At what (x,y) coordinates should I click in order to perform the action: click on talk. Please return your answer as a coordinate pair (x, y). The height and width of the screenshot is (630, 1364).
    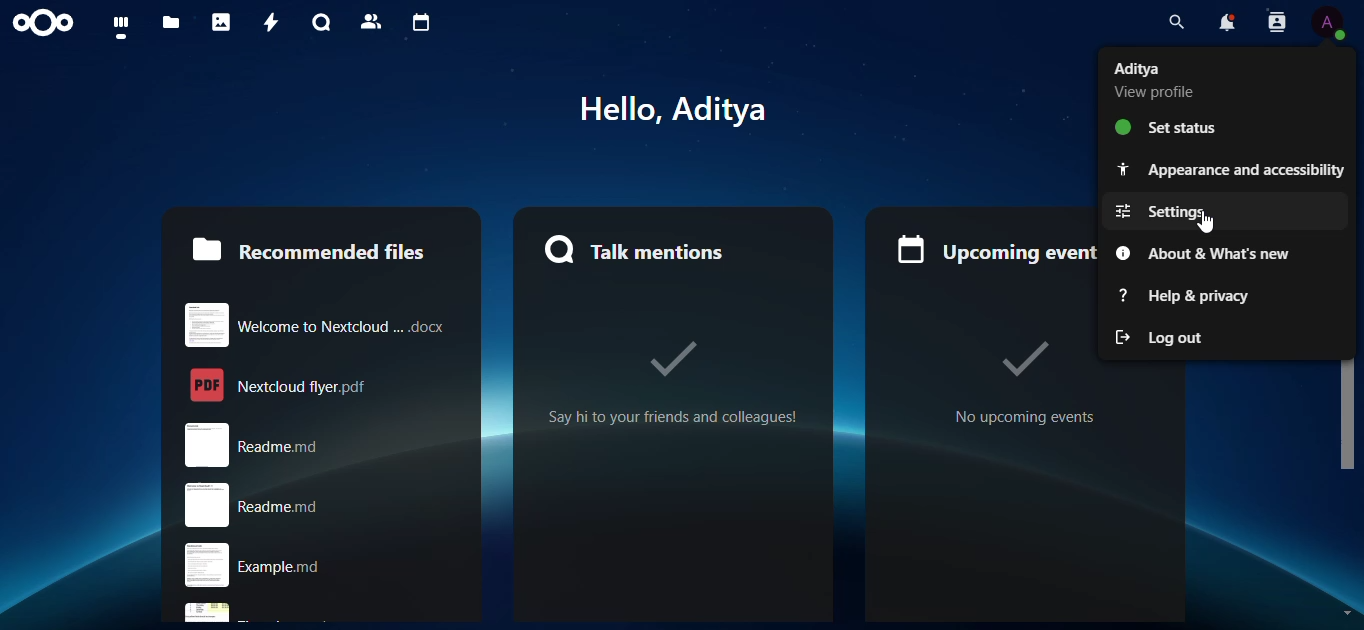
    Looking at the image, I should click on (319, 22).